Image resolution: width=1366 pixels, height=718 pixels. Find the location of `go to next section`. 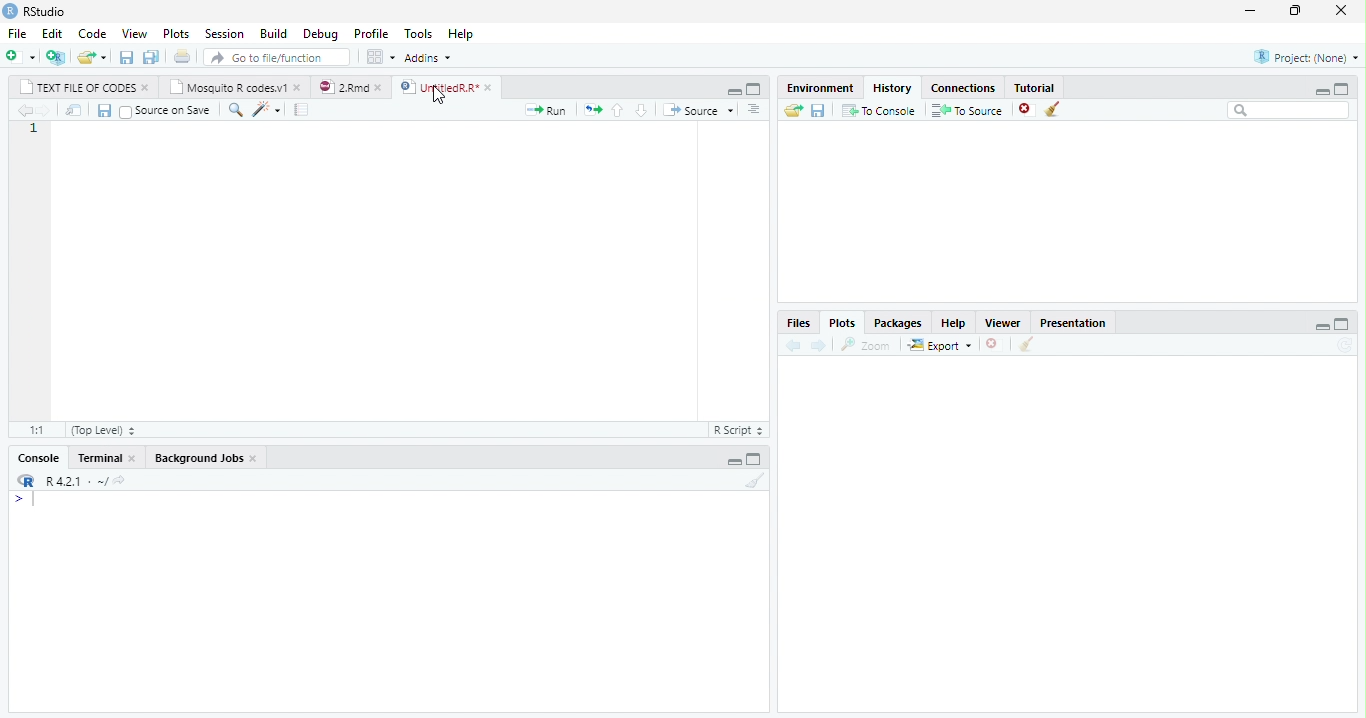

go to next section is located at coordinates (753, 110).